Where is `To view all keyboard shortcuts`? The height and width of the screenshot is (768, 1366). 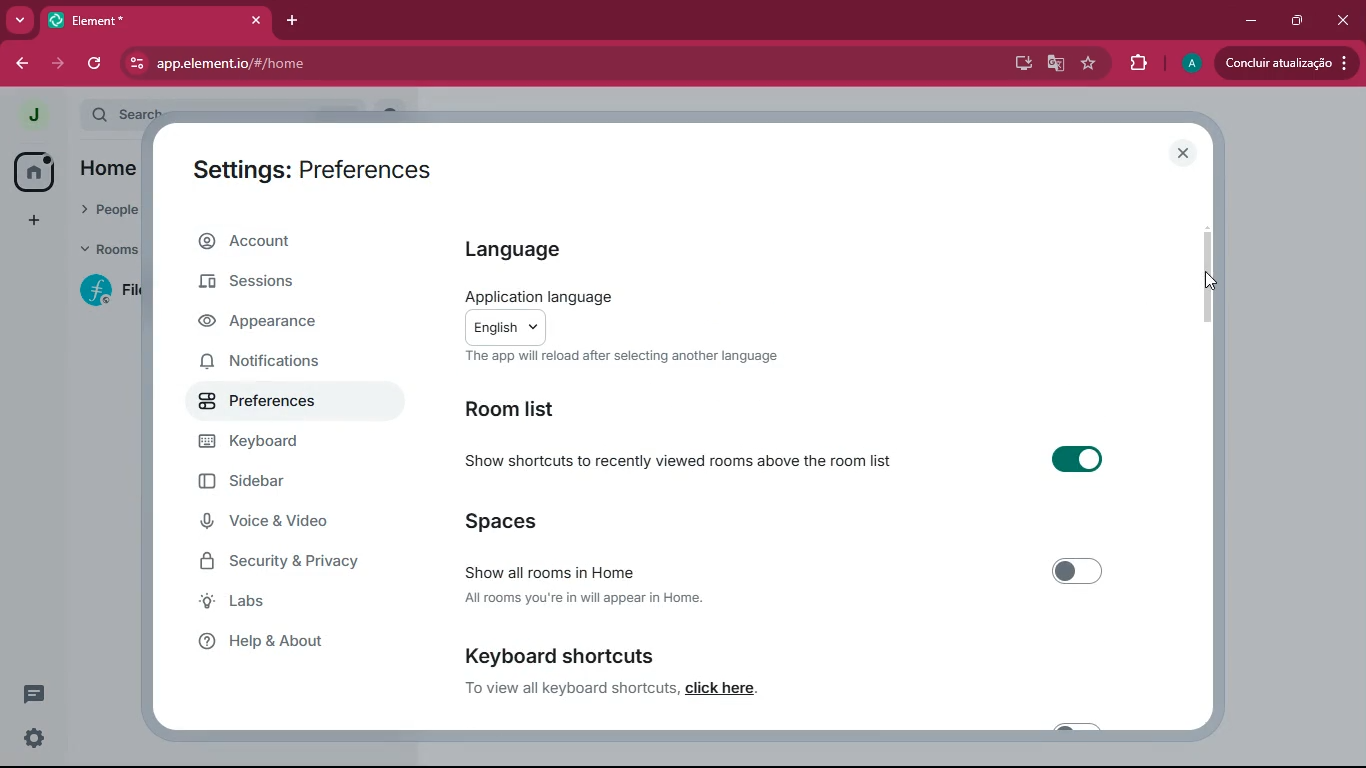
To view all keyboard shortcuts is located at coordinates (568, 688).